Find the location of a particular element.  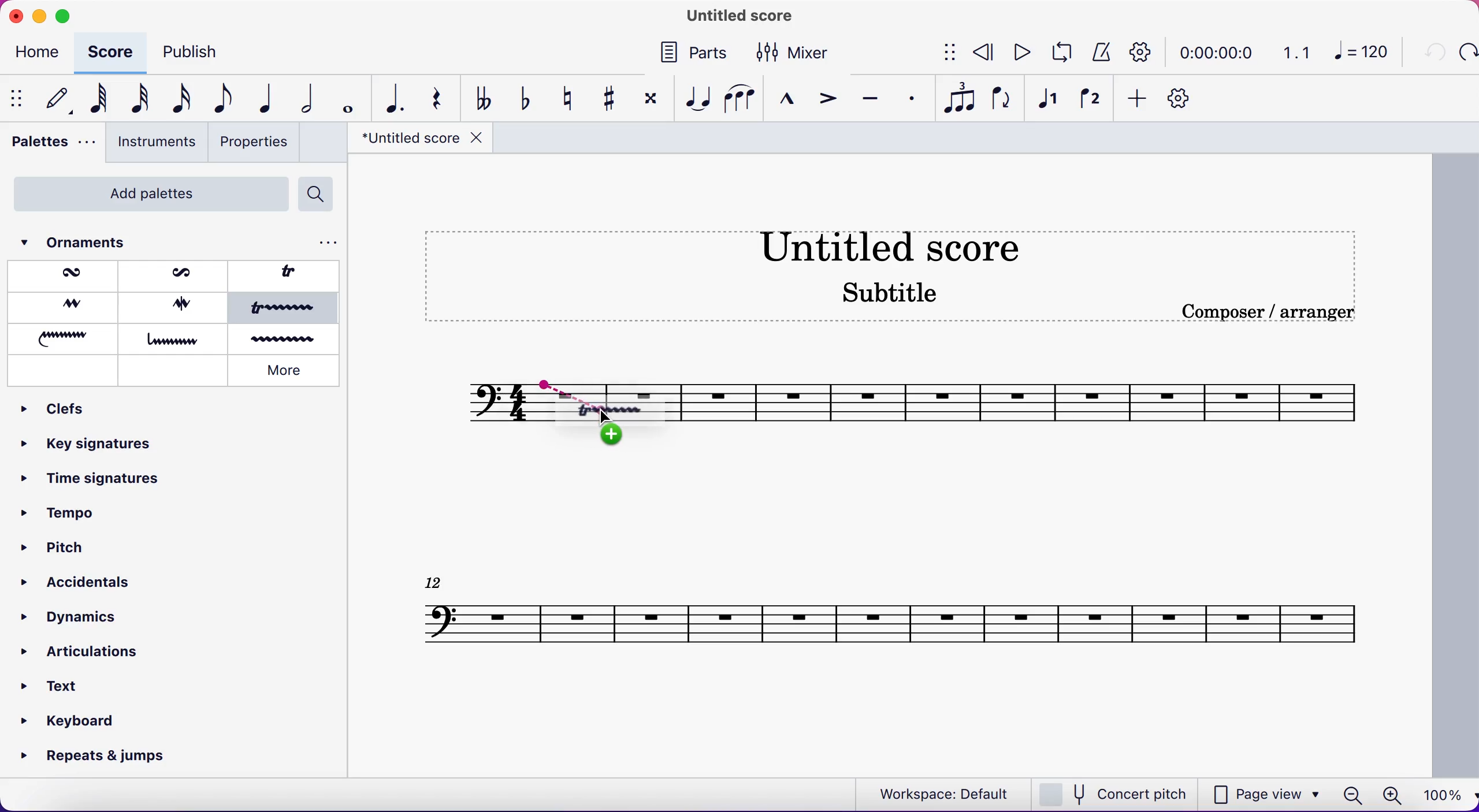

ornaments is located at coordinates (93, 243).